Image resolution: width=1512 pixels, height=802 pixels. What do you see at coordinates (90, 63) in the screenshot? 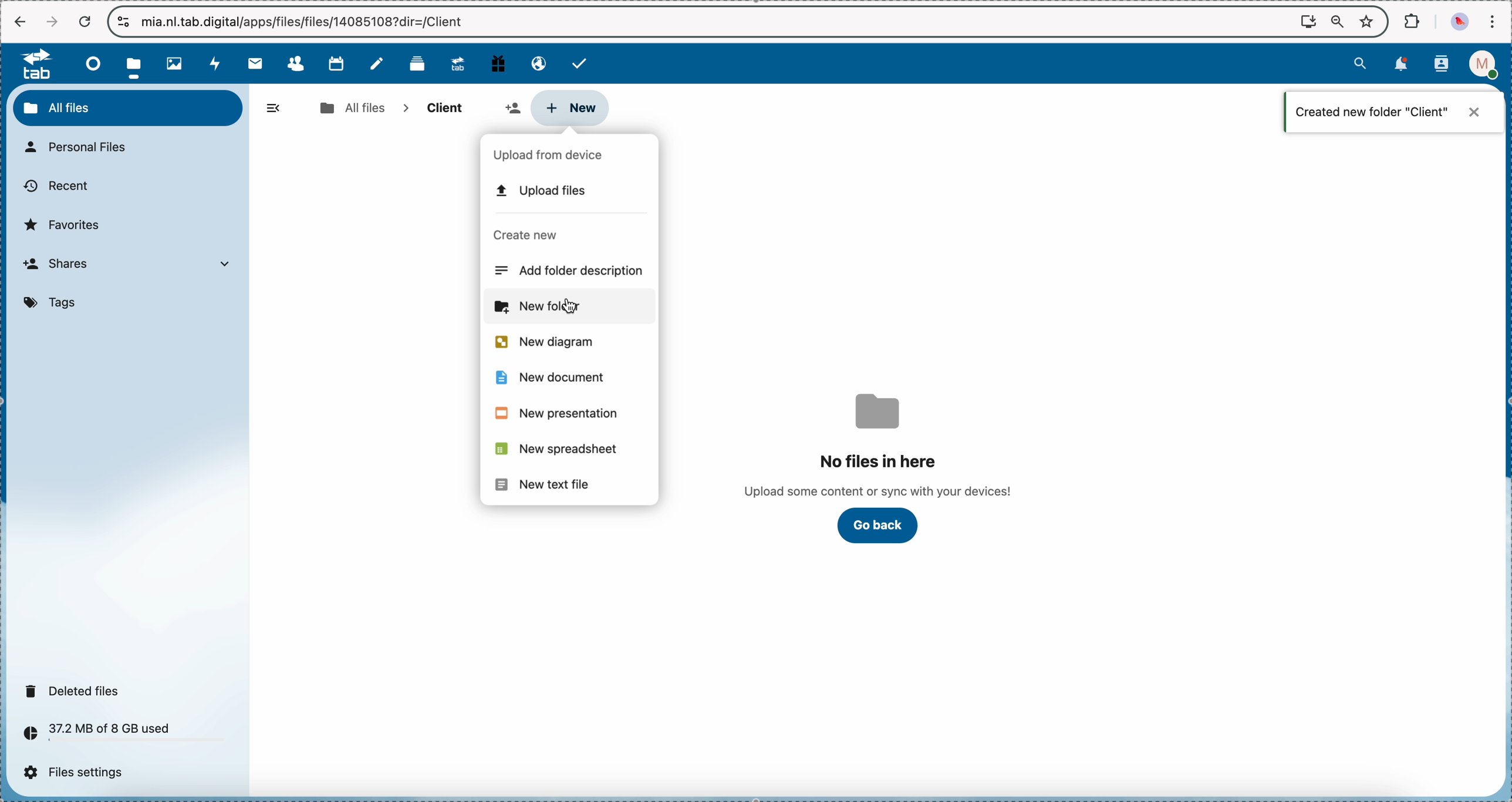
I see `dashboard` at bounding box center [90, 63].